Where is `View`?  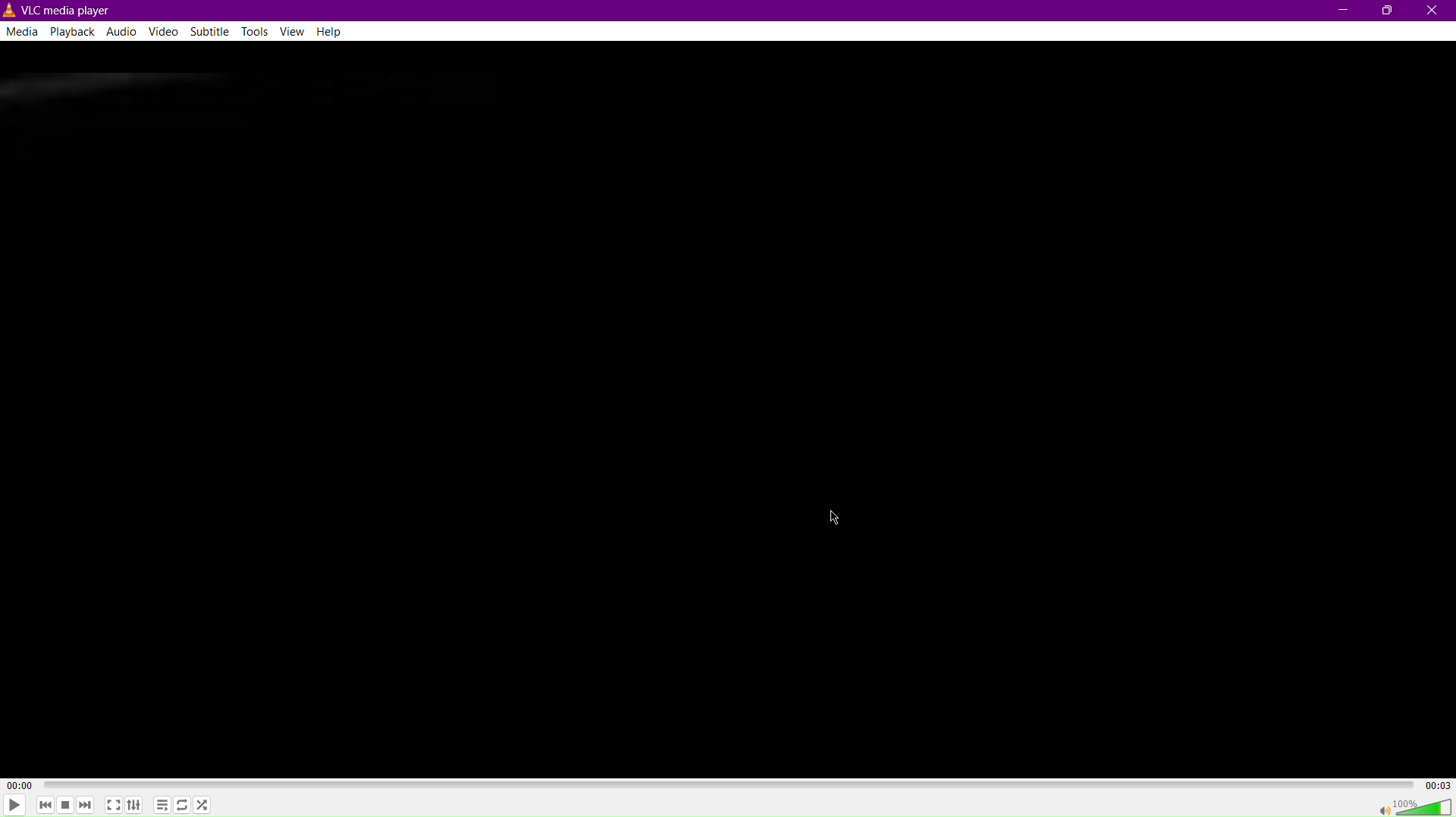 View is located at coordinates (294, 33).